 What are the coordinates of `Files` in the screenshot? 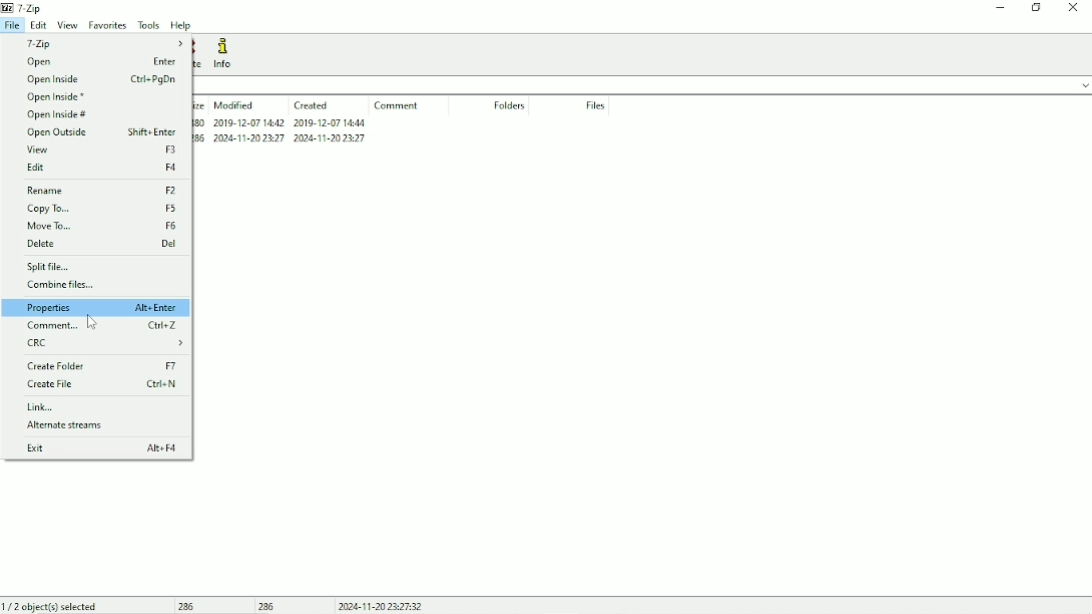 It's located at (593, 105).